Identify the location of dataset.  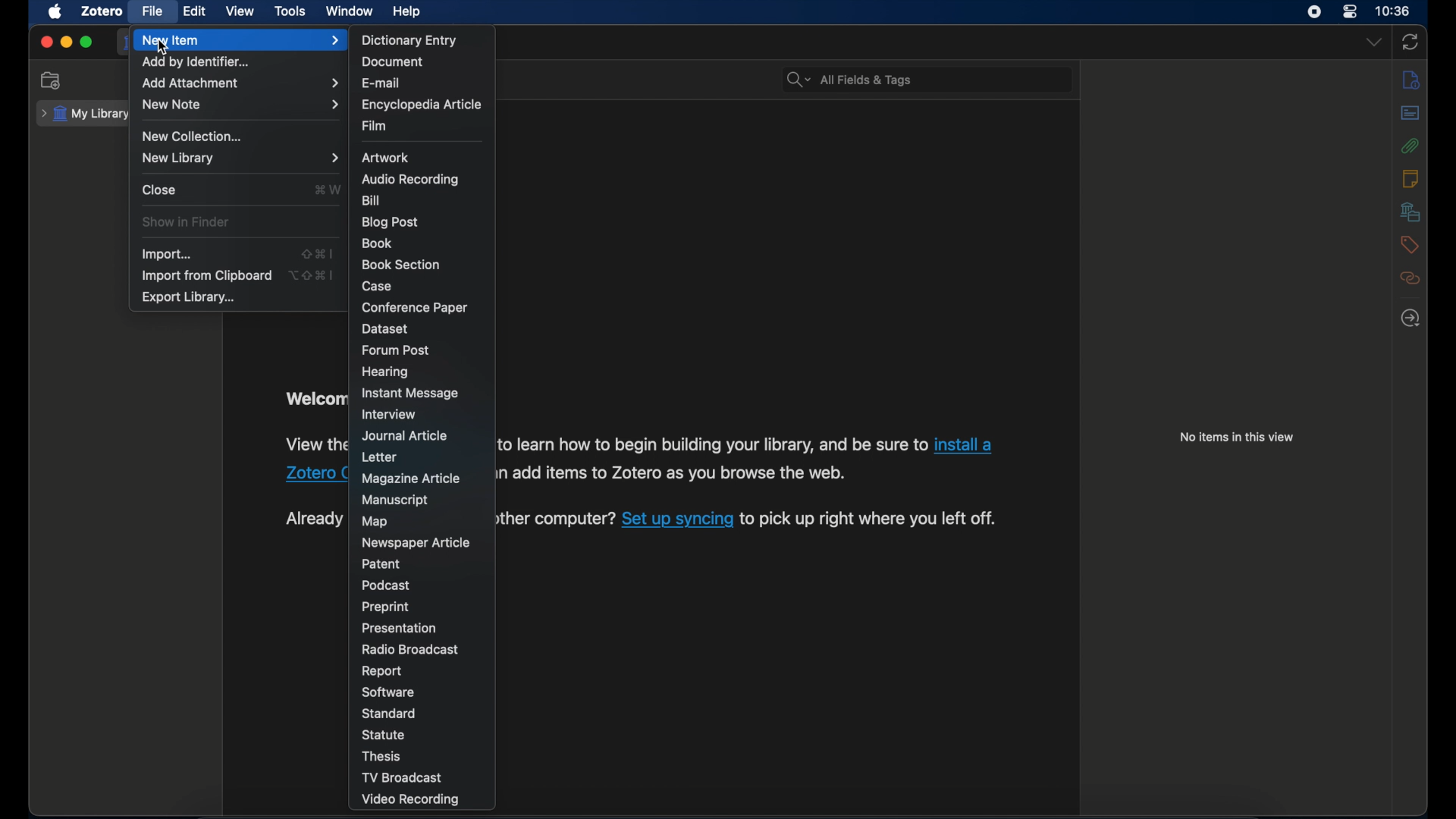
(385, 328).